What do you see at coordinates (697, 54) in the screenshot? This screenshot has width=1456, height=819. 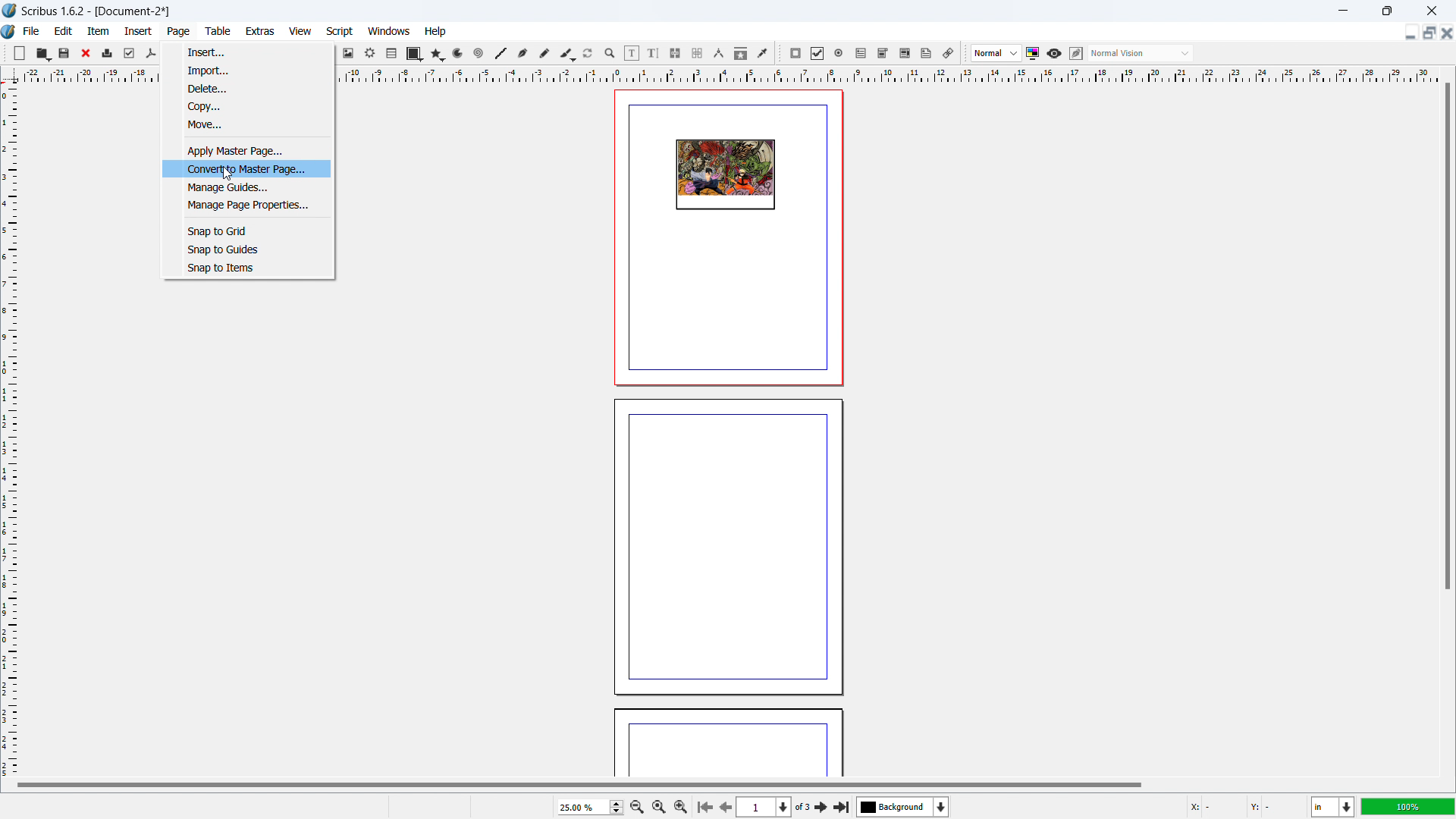 I see `unlink text frames` at bounding box center [697, 54].